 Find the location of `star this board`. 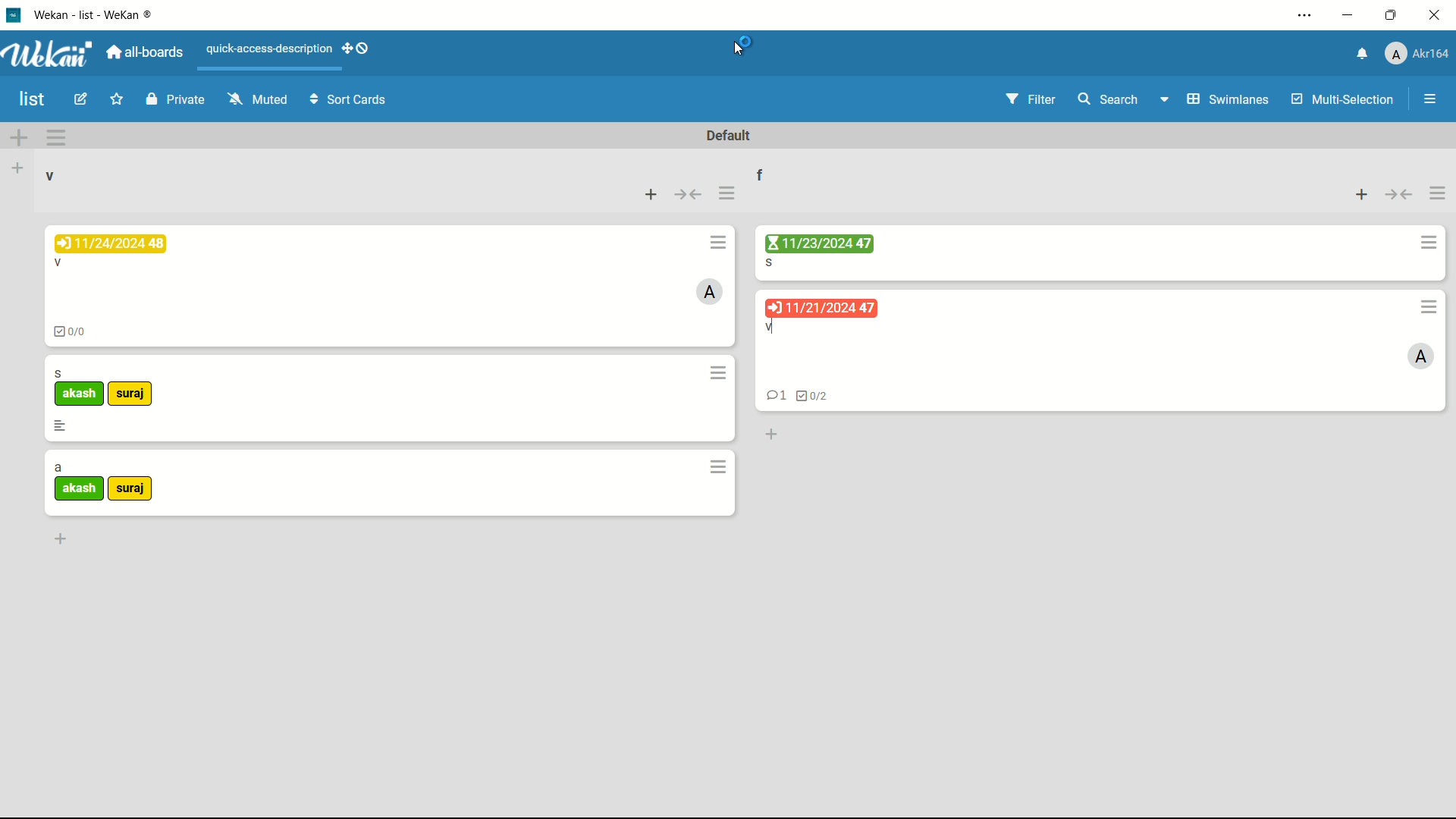

star this board is located at coordinates (116, 99).